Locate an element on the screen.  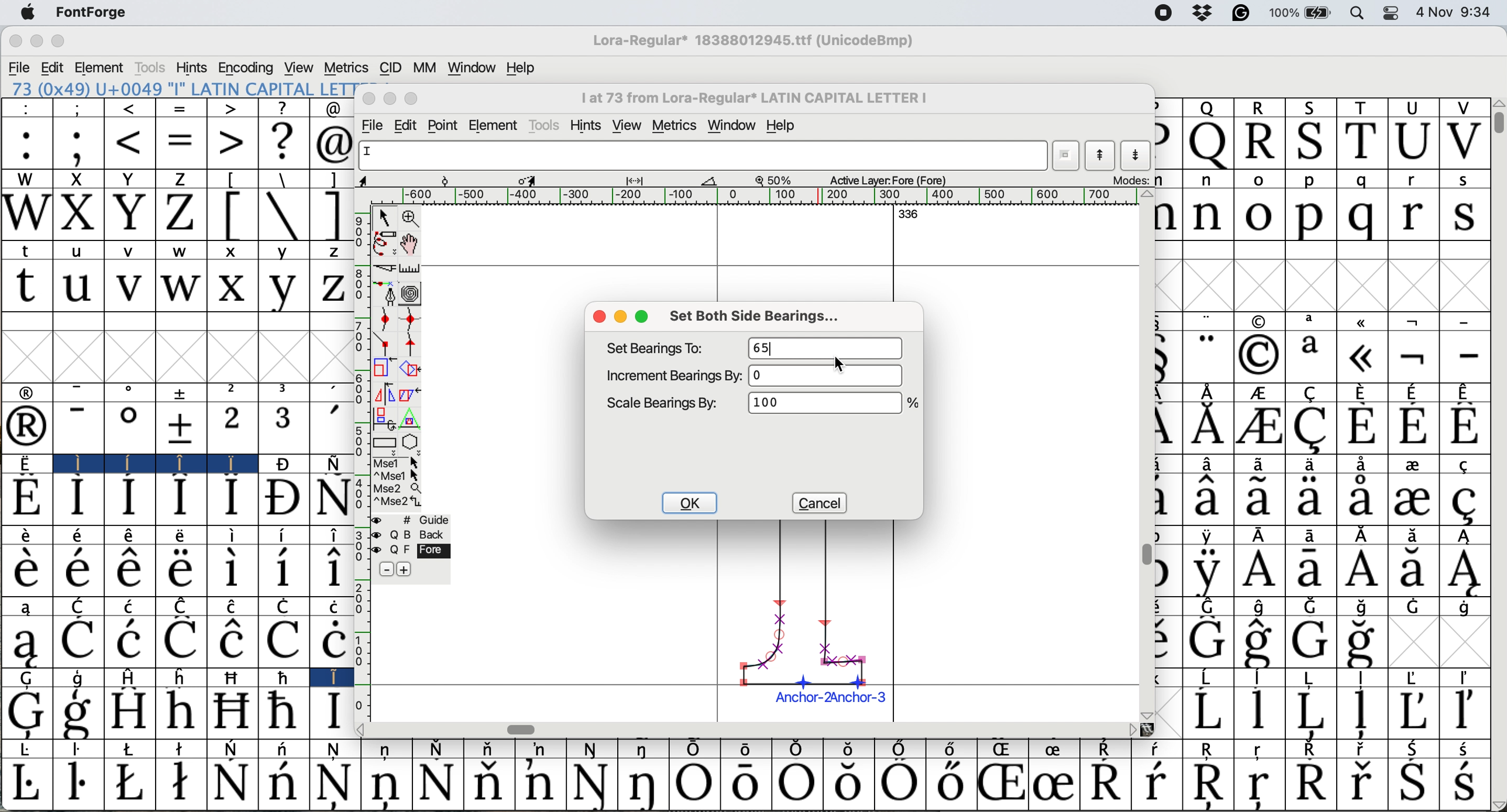
" is located at coordinates (1206, 355).